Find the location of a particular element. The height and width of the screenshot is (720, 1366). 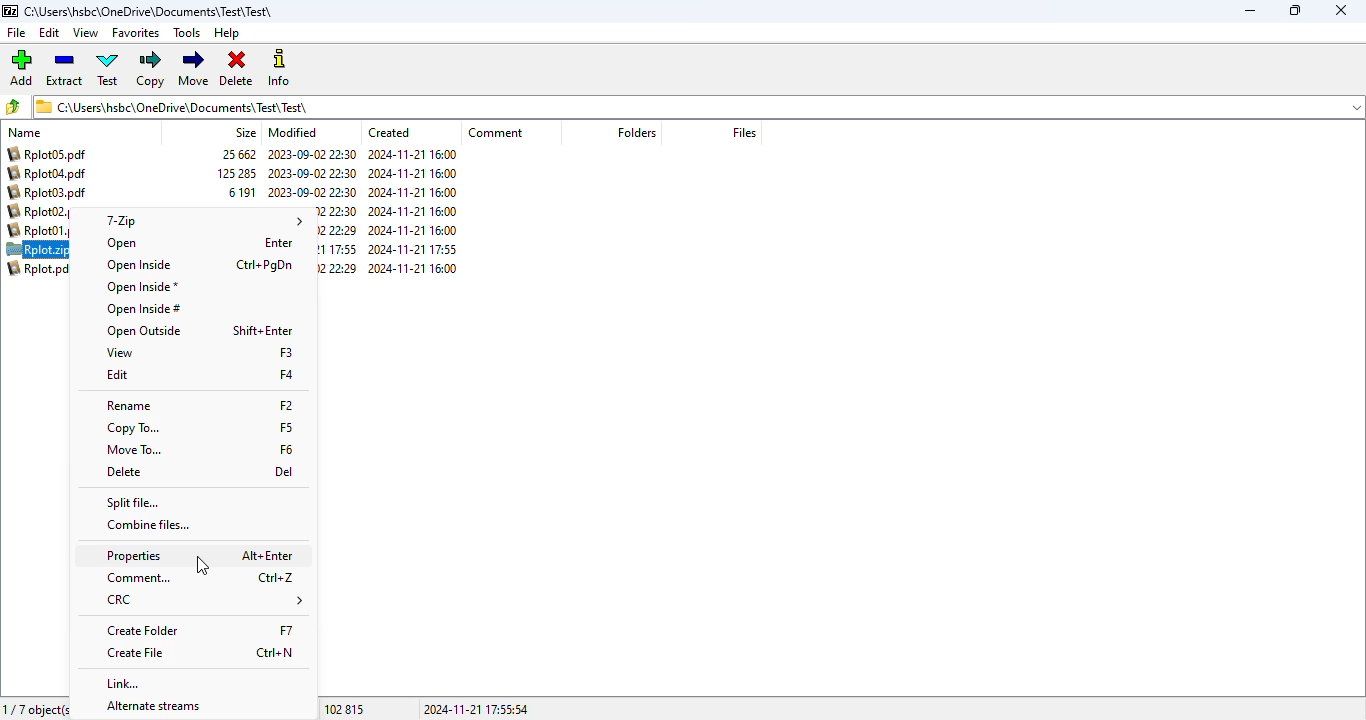

shortcut for create file is located at coordinates (272, 653).